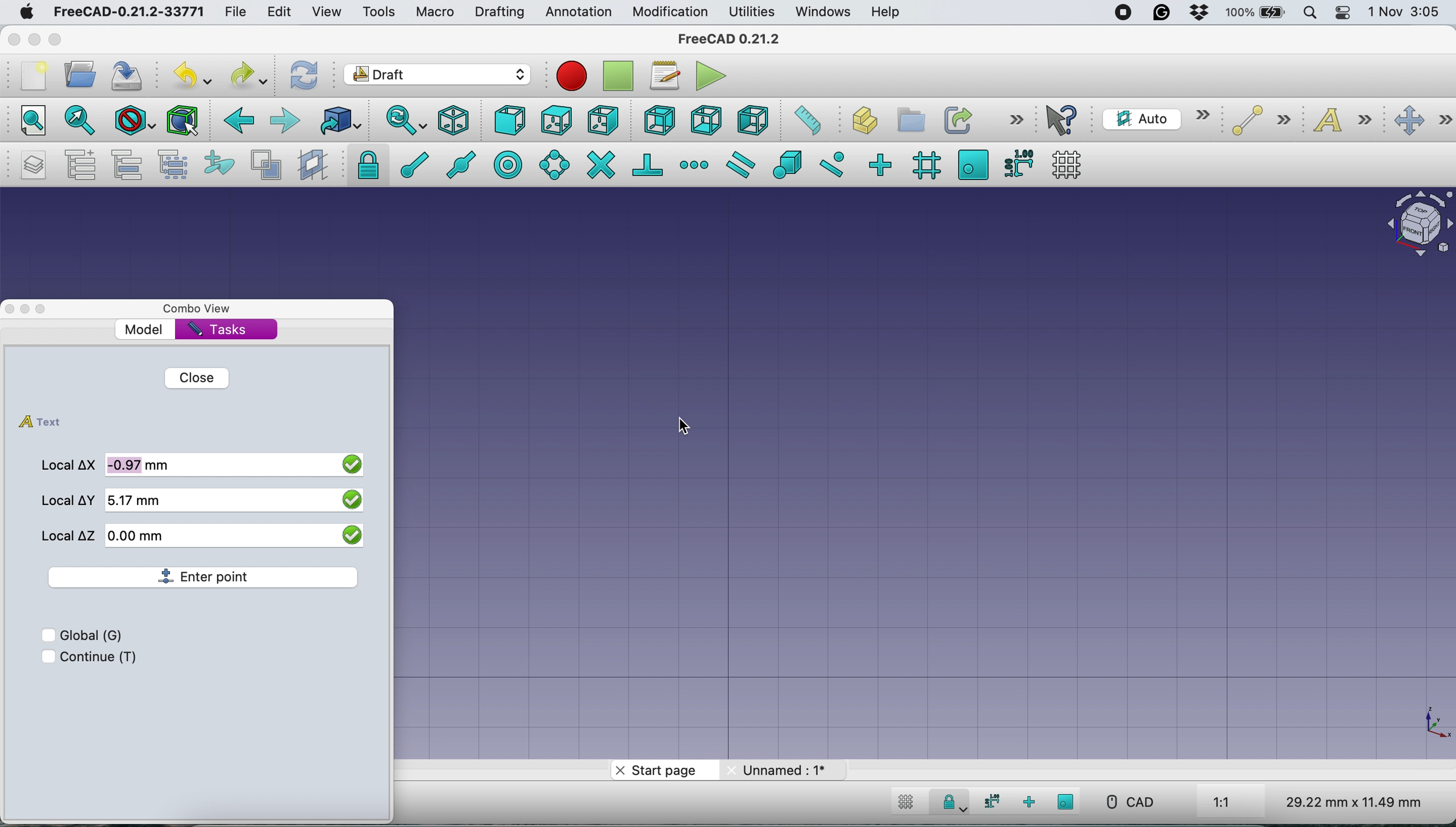 The width and height of the screenshot is (1456, 827). What do you see at coordinates (1256, 120) in the screenshot?
I see `line` at bounding box center [1256, 120].